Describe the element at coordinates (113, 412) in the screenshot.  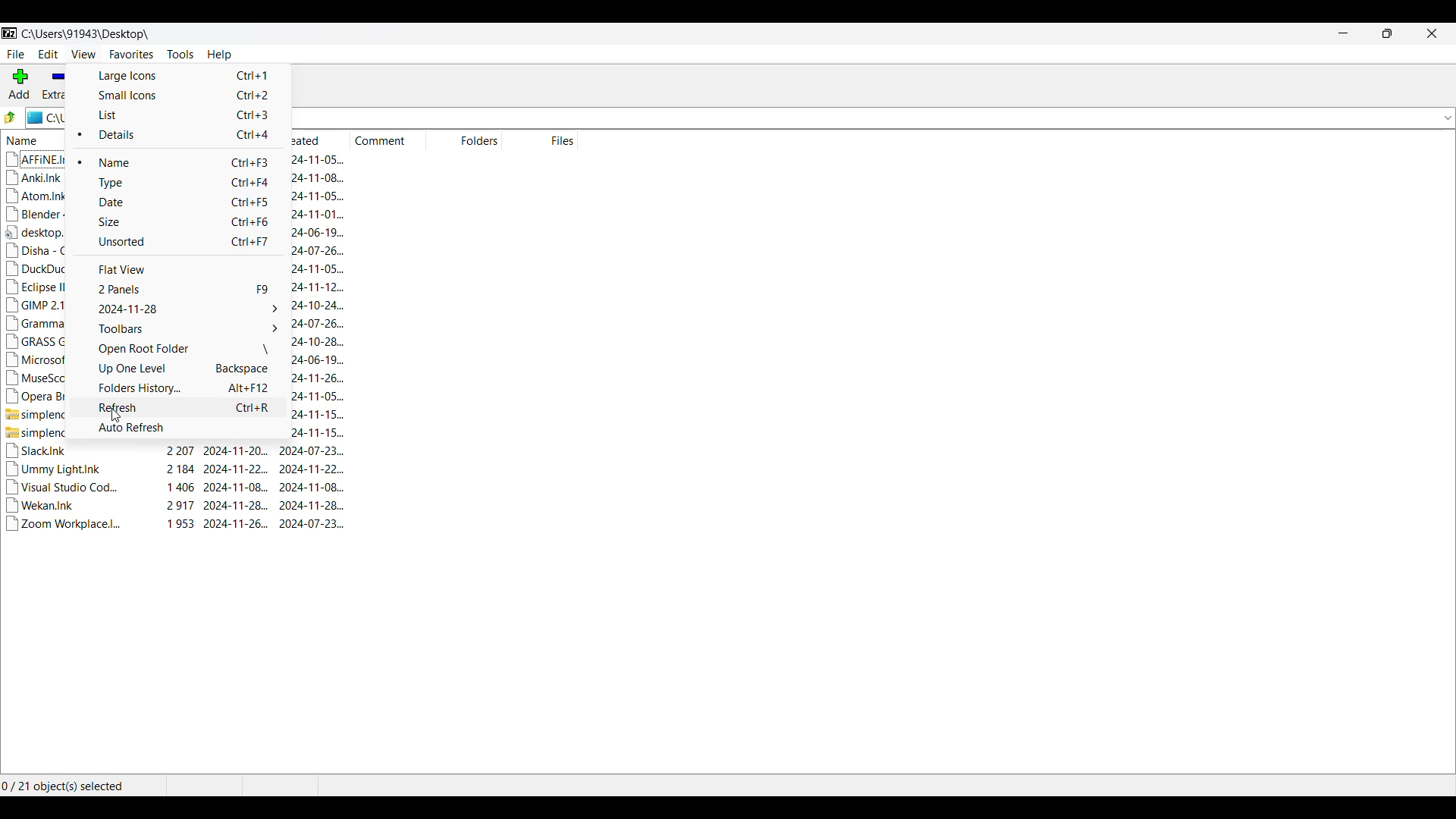
I see `Cursor` at that location.